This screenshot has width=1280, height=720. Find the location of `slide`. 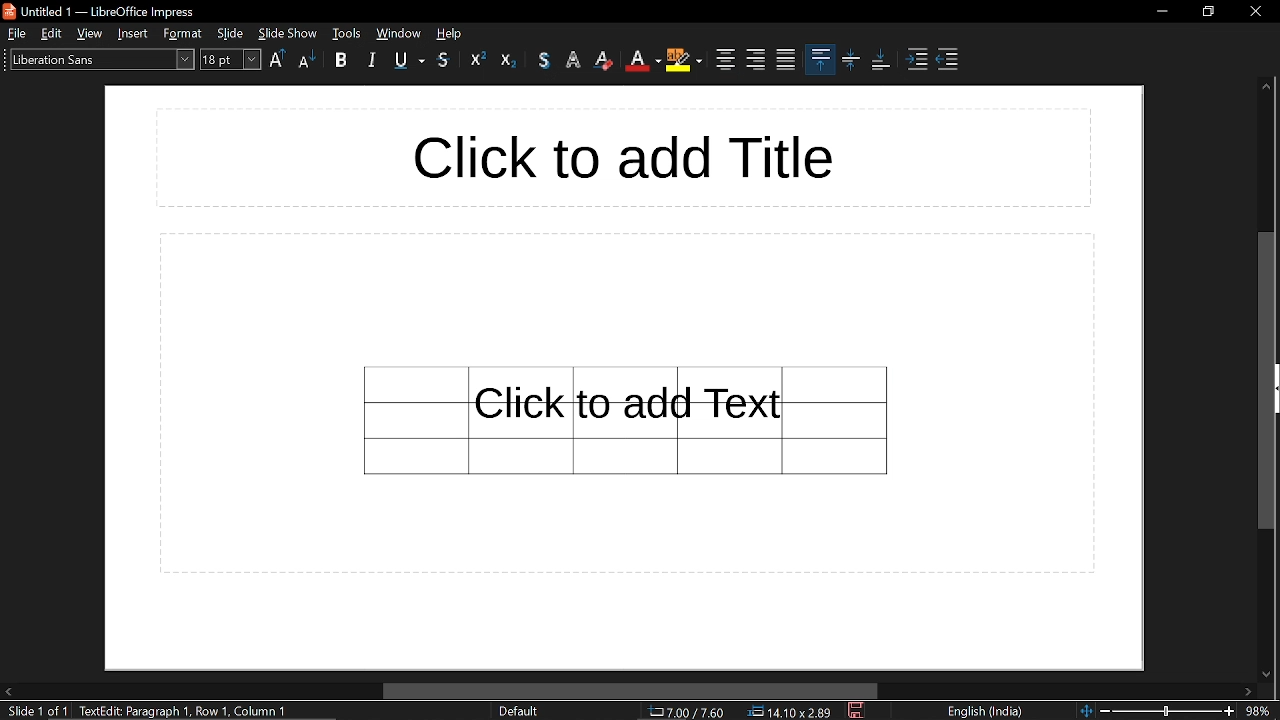

slide is located at coordinates (231, 33).